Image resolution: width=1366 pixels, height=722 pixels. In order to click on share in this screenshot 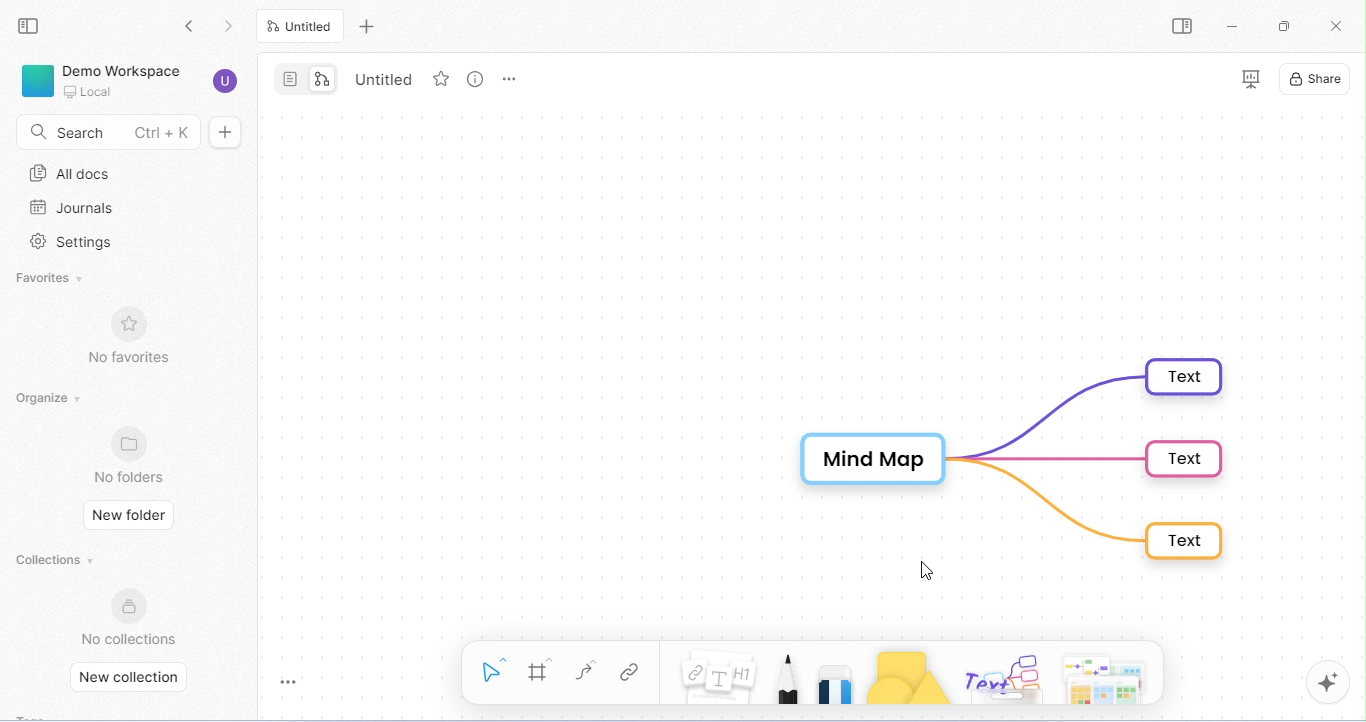, I will do `click(1319, 79)`.